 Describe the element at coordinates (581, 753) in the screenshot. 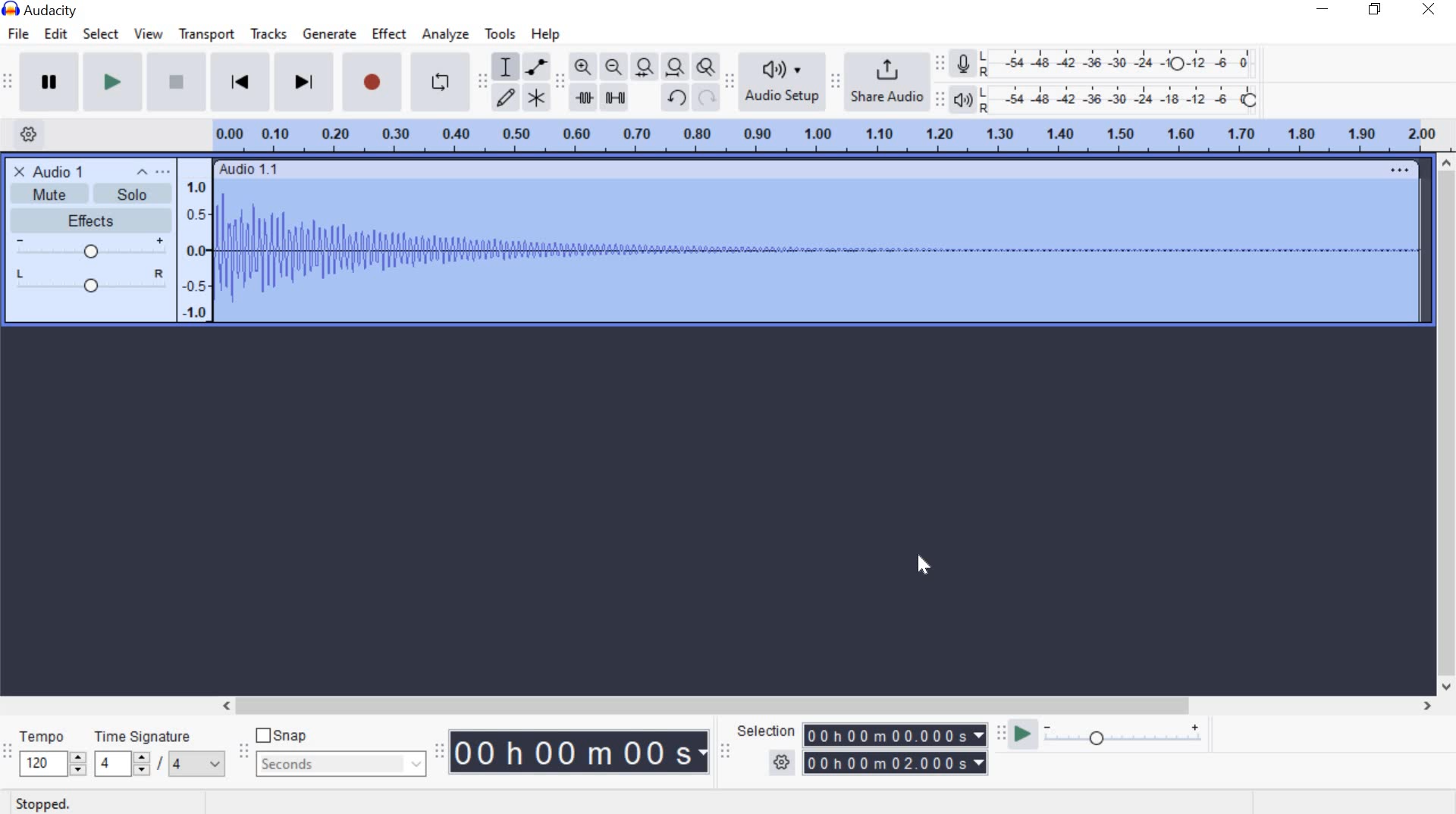

I see `audacity time` at that location.